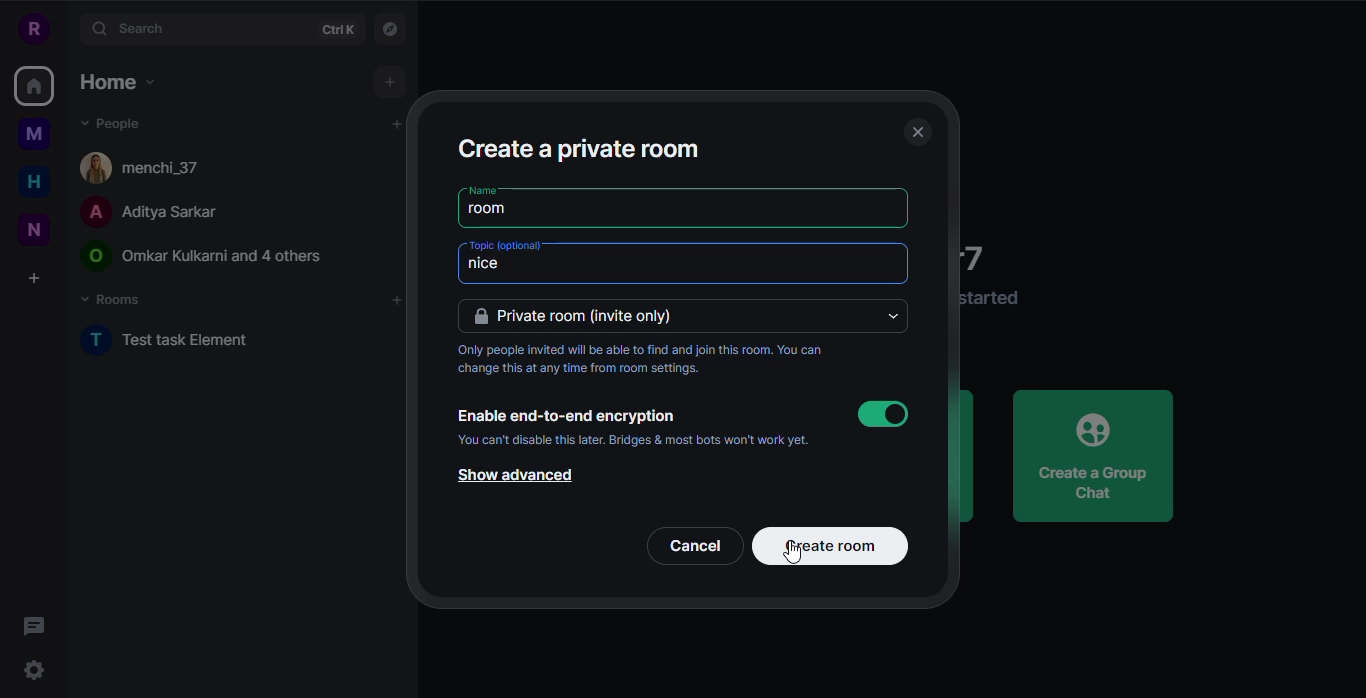 The image size is (1366, 698). Describe the element at coordinates (565, 416) in the screenshot. I see `enable encryption` at that location.